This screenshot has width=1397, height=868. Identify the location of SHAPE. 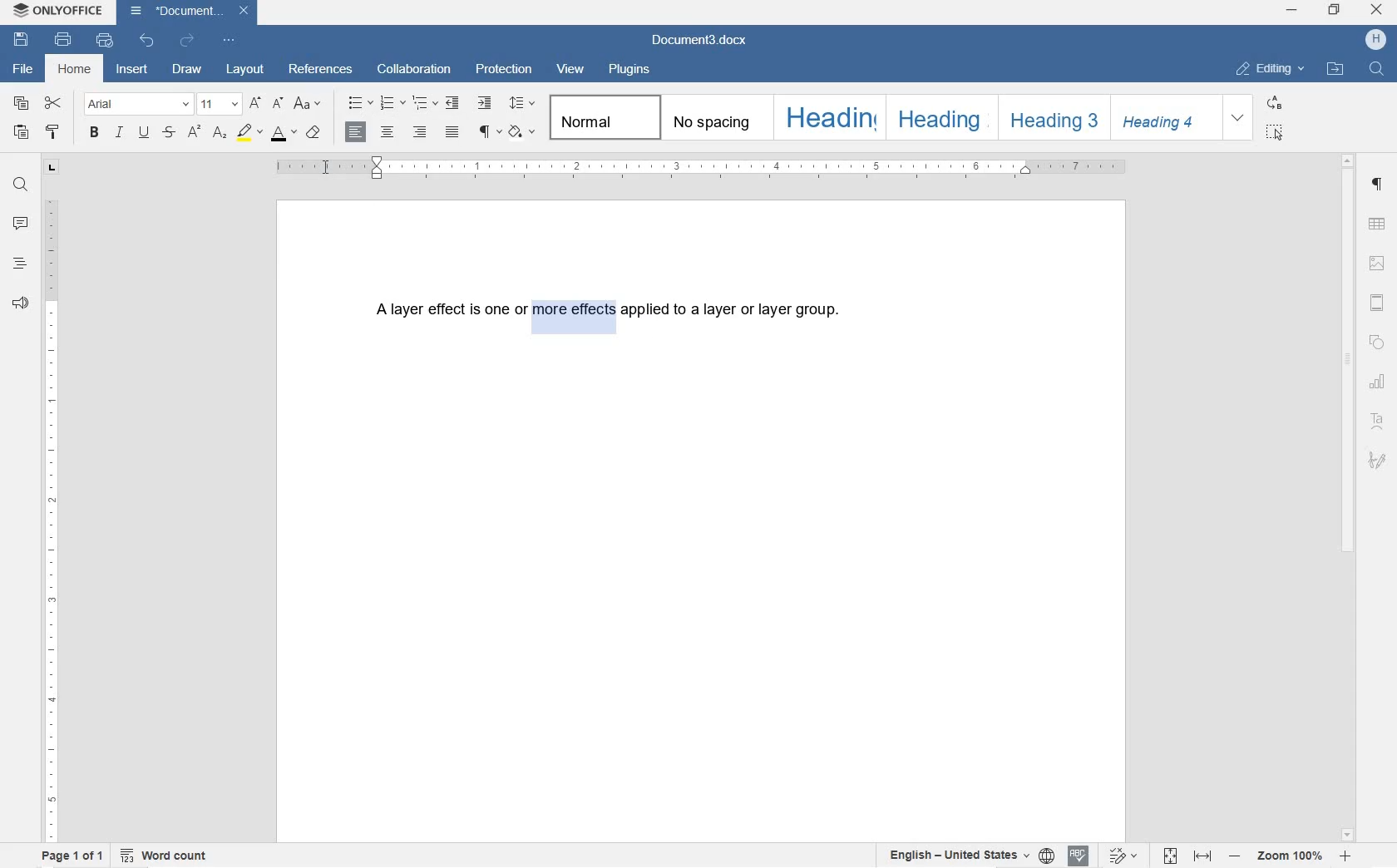
(1378, 343).